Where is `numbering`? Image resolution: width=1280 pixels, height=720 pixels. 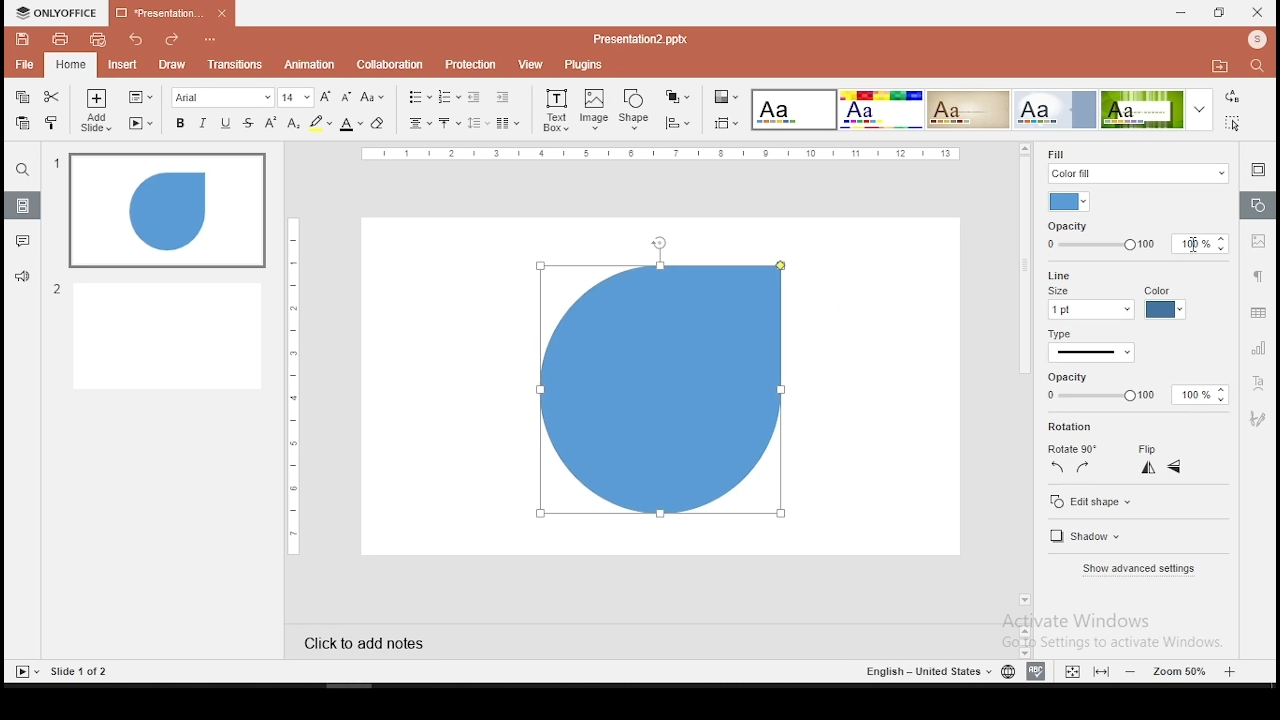
numbering is located at coordinates (449, 96).